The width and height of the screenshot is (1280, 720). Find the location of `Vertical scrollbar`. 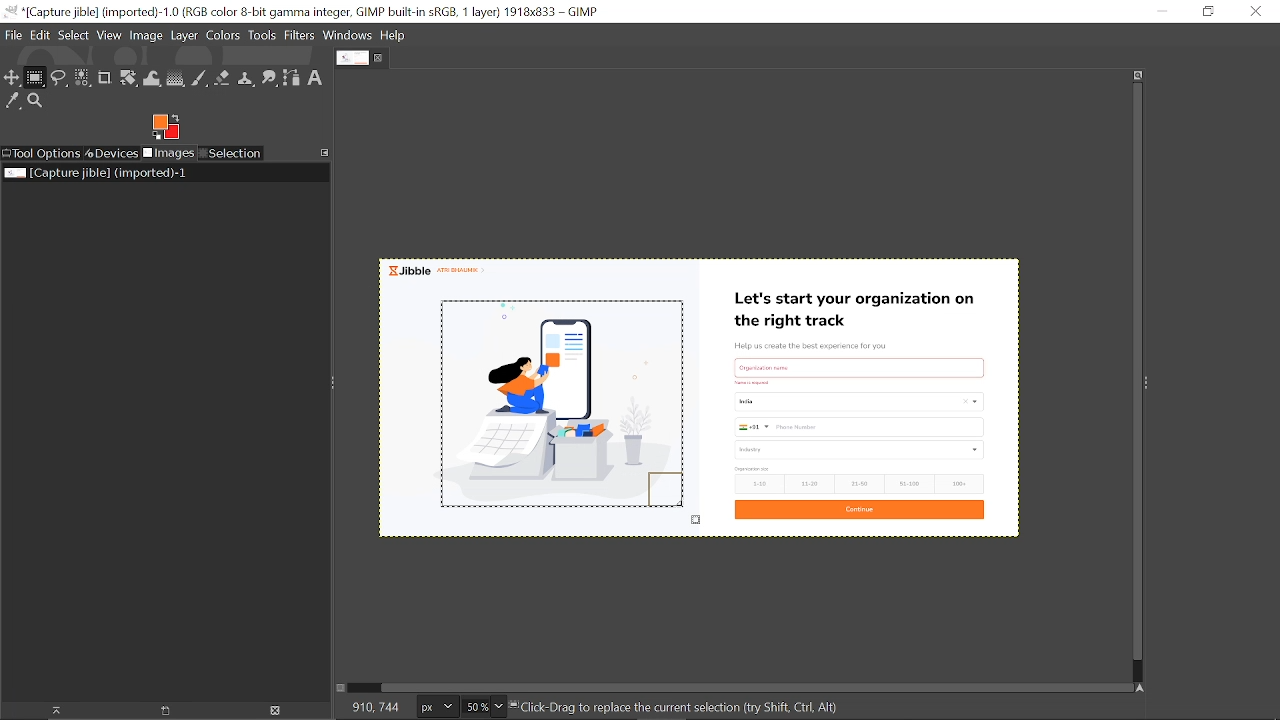

Vertical scrollbar is located at coordinates (1133, 373).